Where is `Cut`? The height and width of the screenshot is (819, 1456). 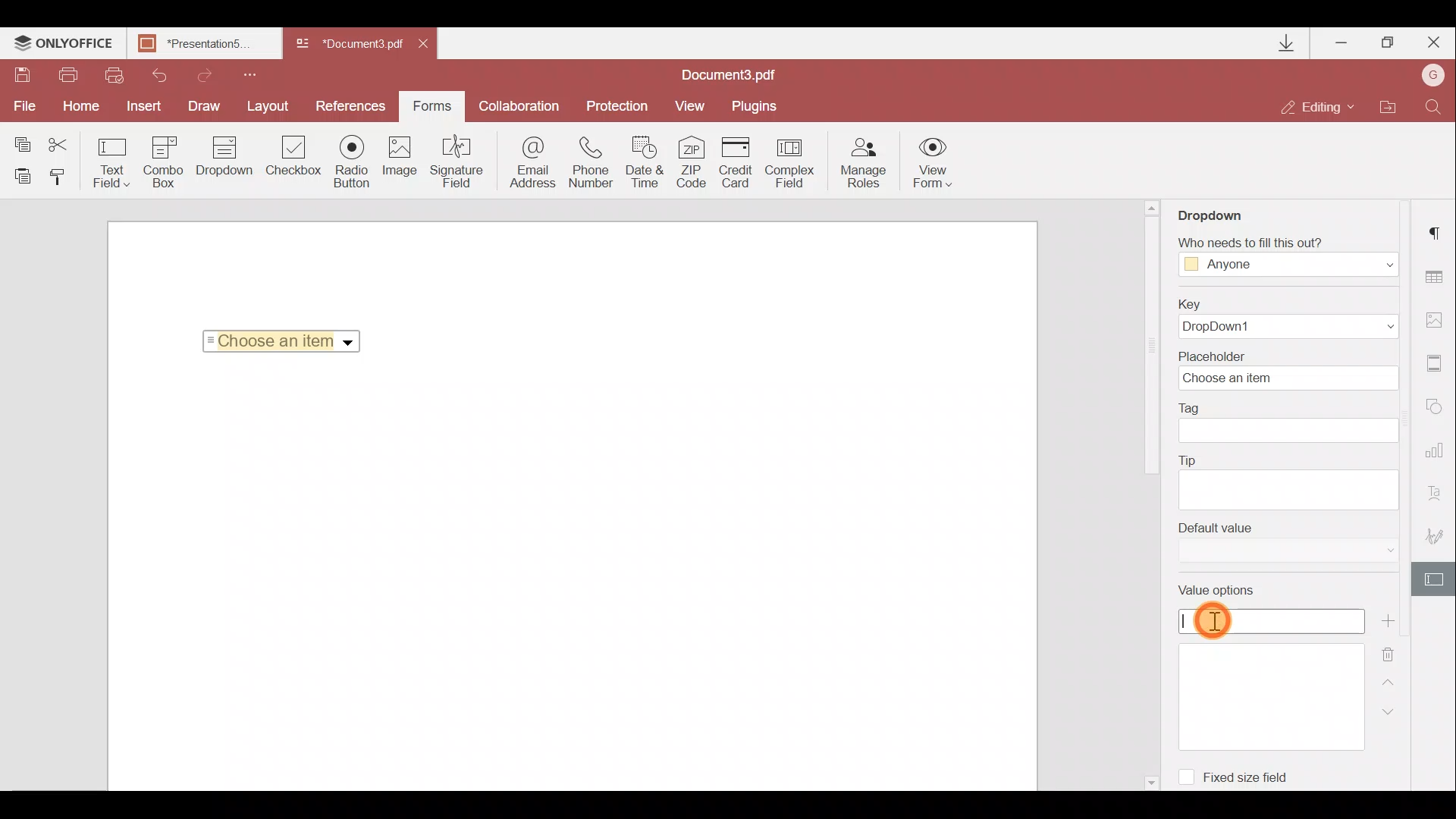 Cut is located at coordinates (67, 142).